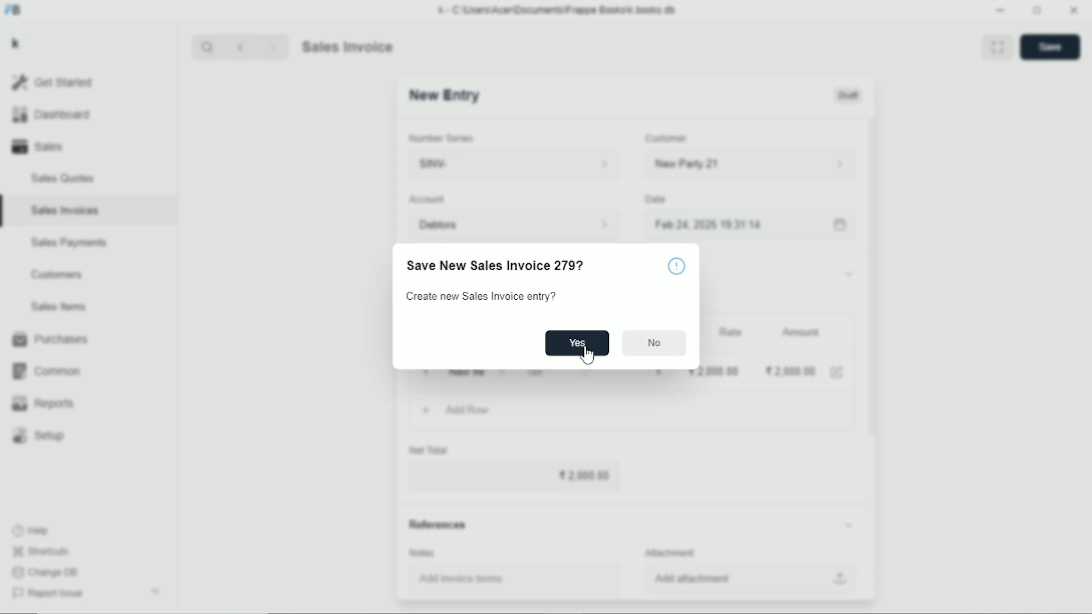  What do you see at coordinates (455, 411) in the screenshot?
I see `Add row` at bounding box center [455, 411].